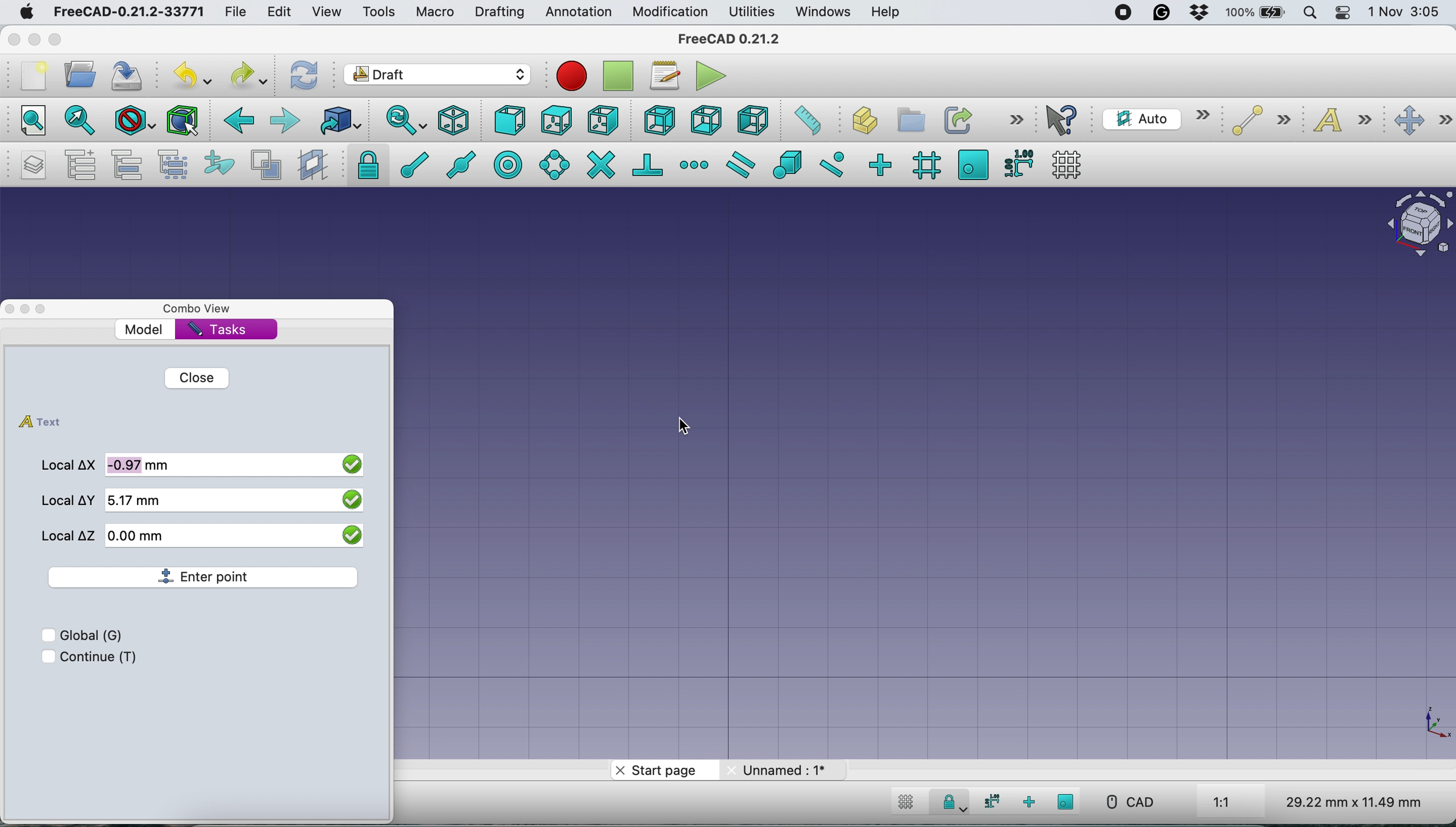  What do you see at coordinates (820, 11) in the screenshot?
I see `windows` at bounding box center [820, 11].